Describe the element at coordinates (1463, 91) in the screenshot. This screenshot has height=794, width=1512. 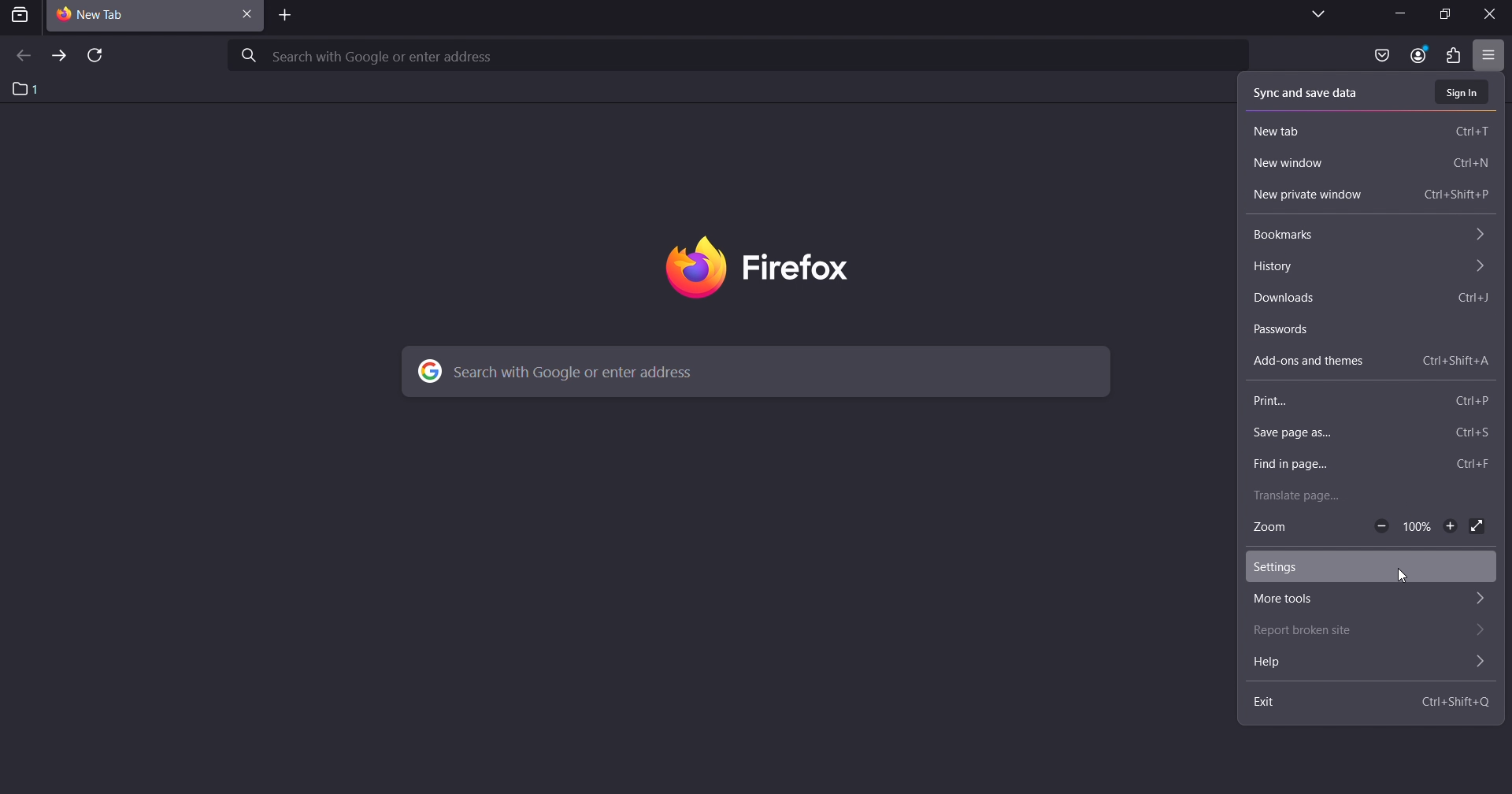
I see `sign in` at that location.